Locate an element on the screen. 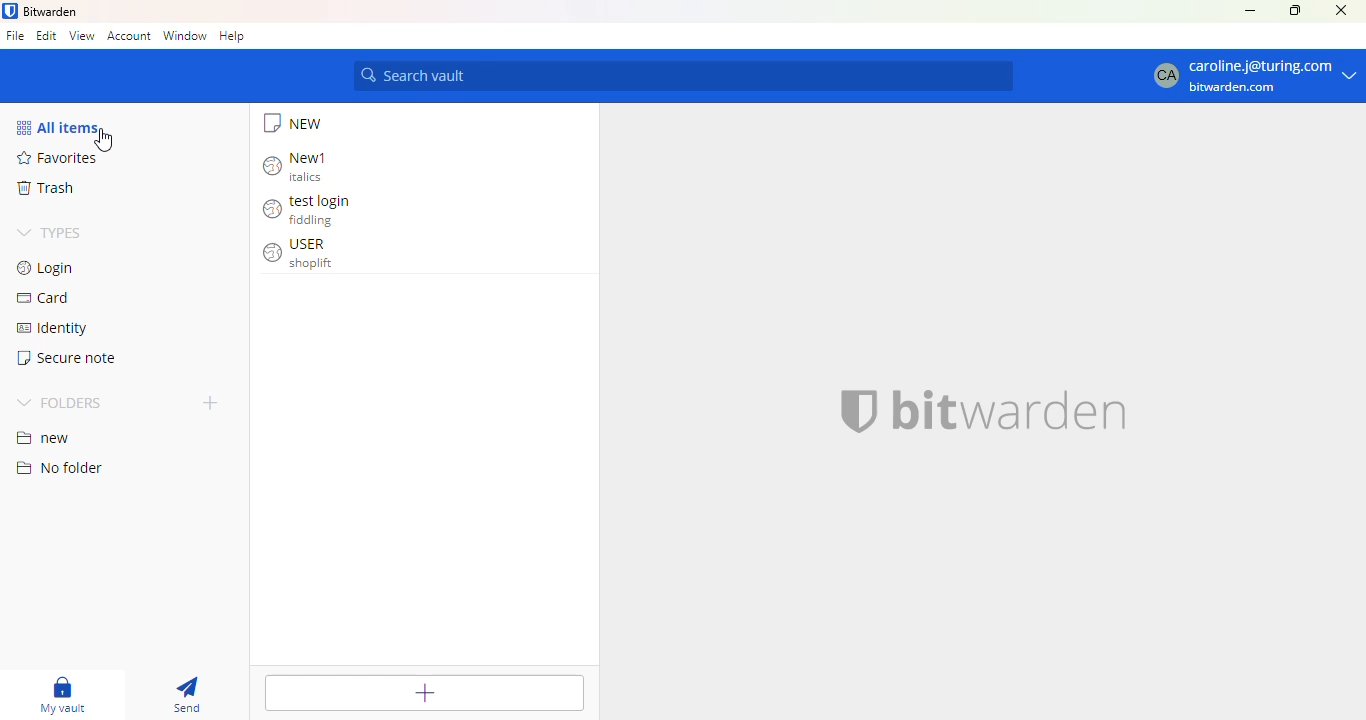  send is located at coordinates (186, 693).